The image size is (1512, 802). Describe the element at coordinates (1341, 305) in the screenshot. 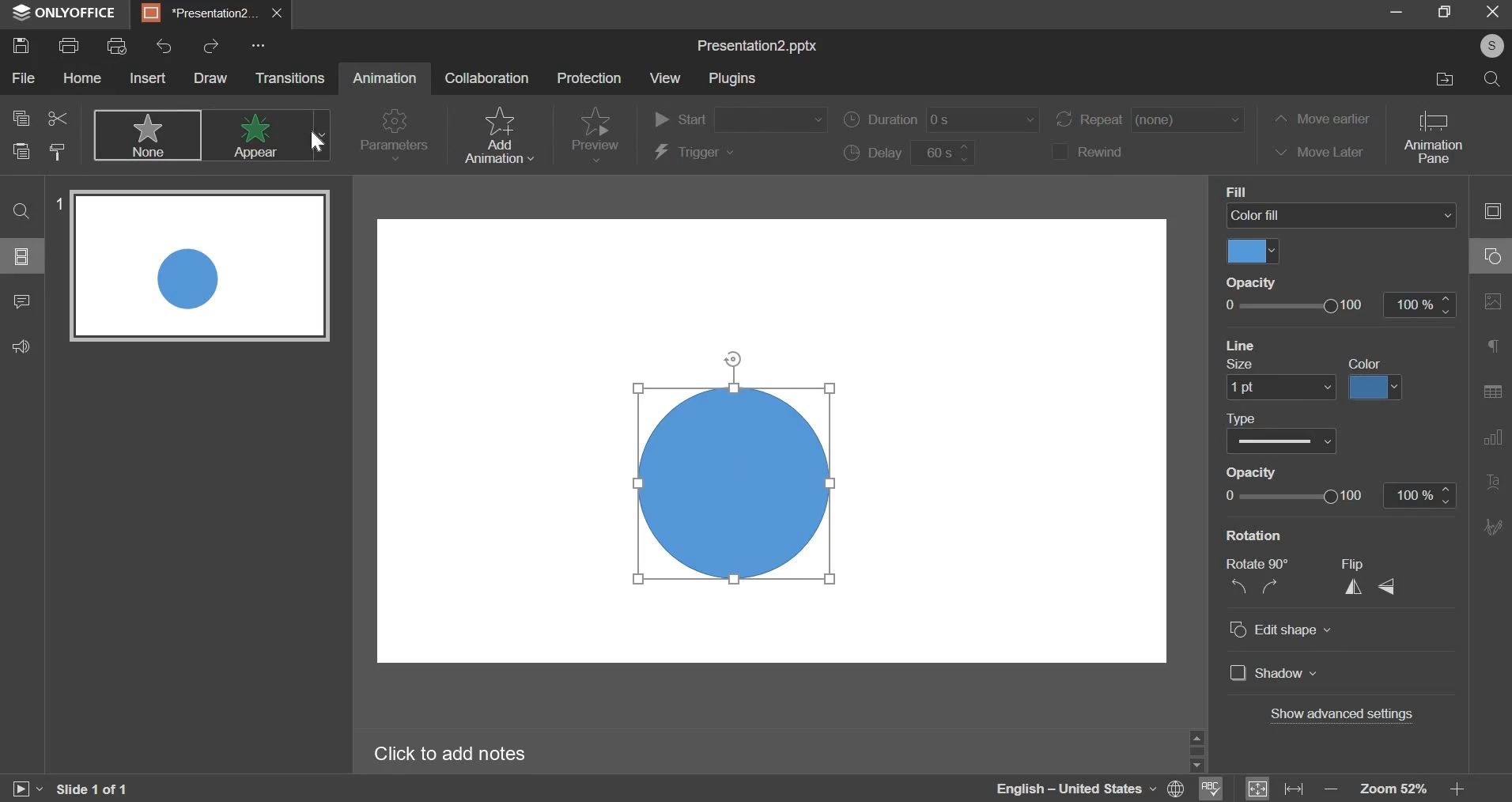

I see `opacity` at that location.